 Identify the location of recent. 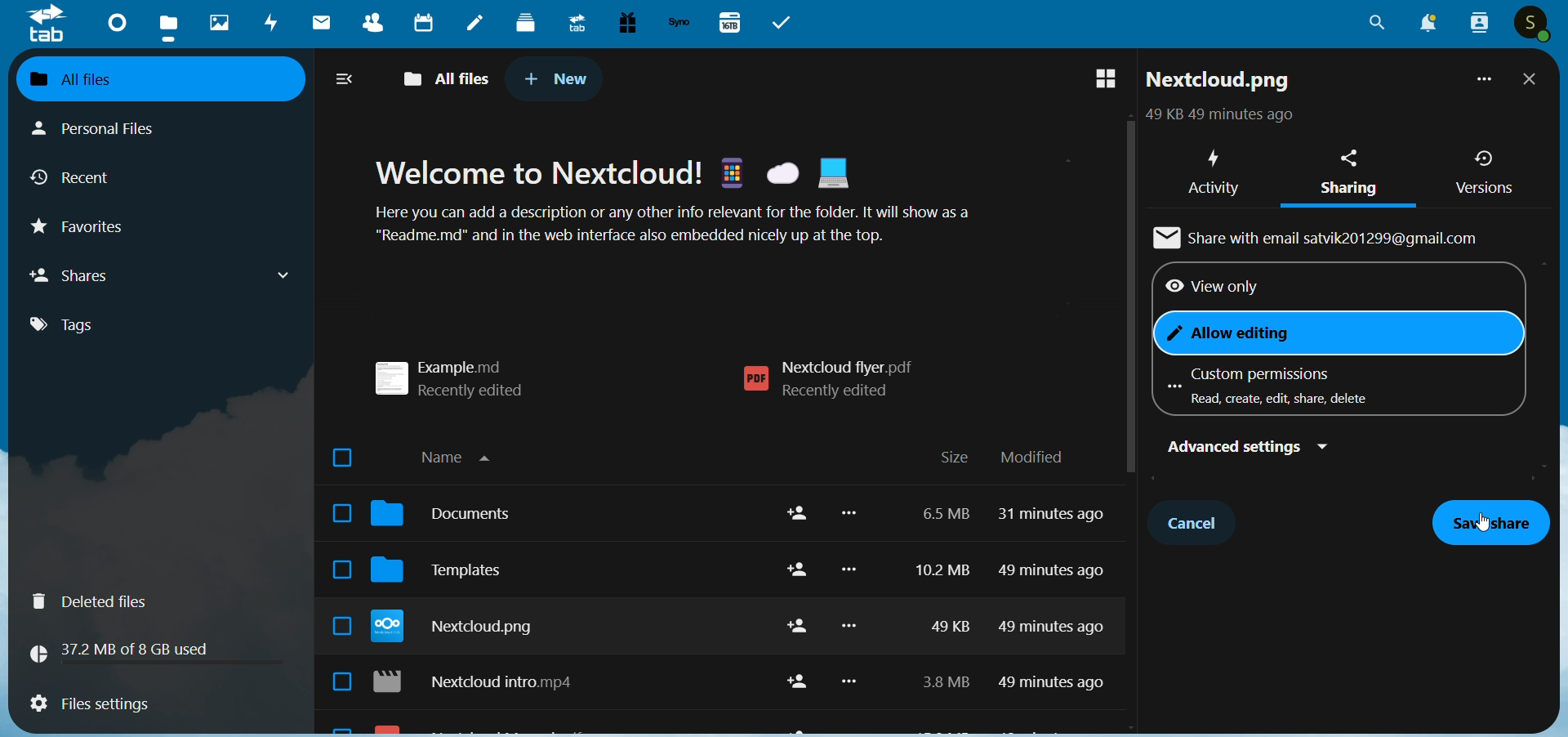
(78, 181).